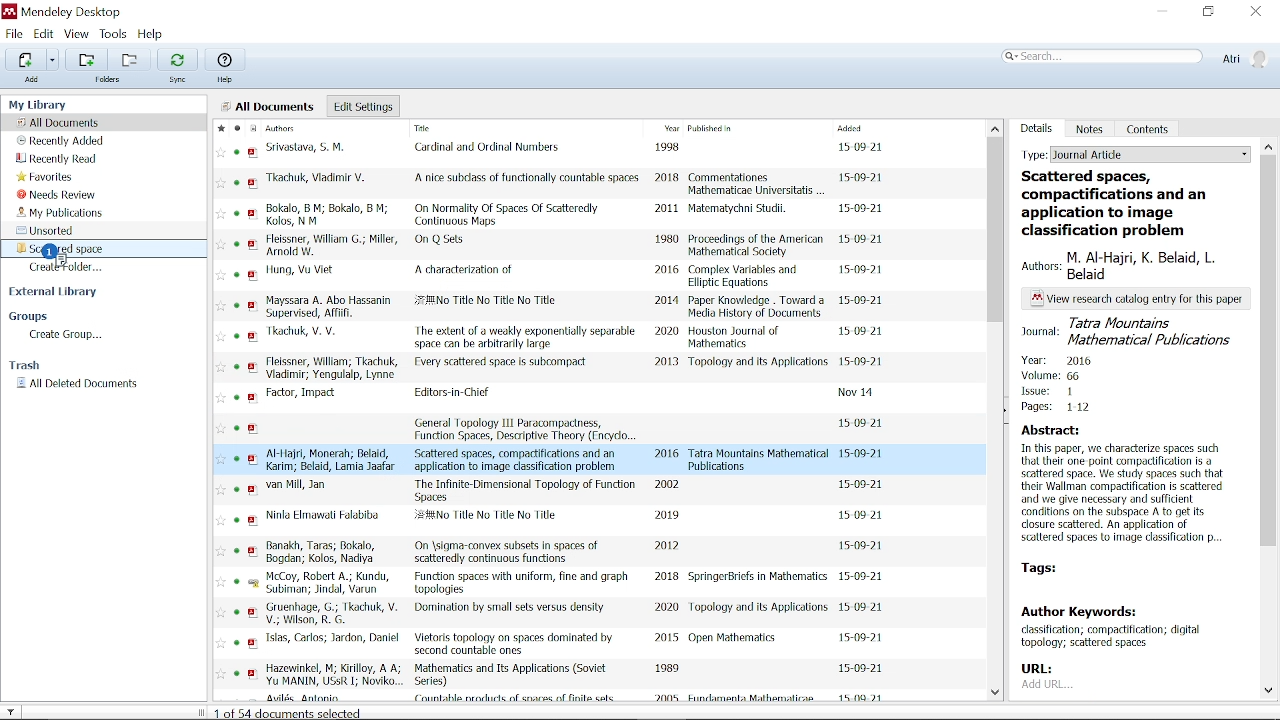 The width and height of the screenshot is (1280, 720). What do you see at coordinates (864, 330) in the screenshot?
I see `date` at bounding box center [864, 330].